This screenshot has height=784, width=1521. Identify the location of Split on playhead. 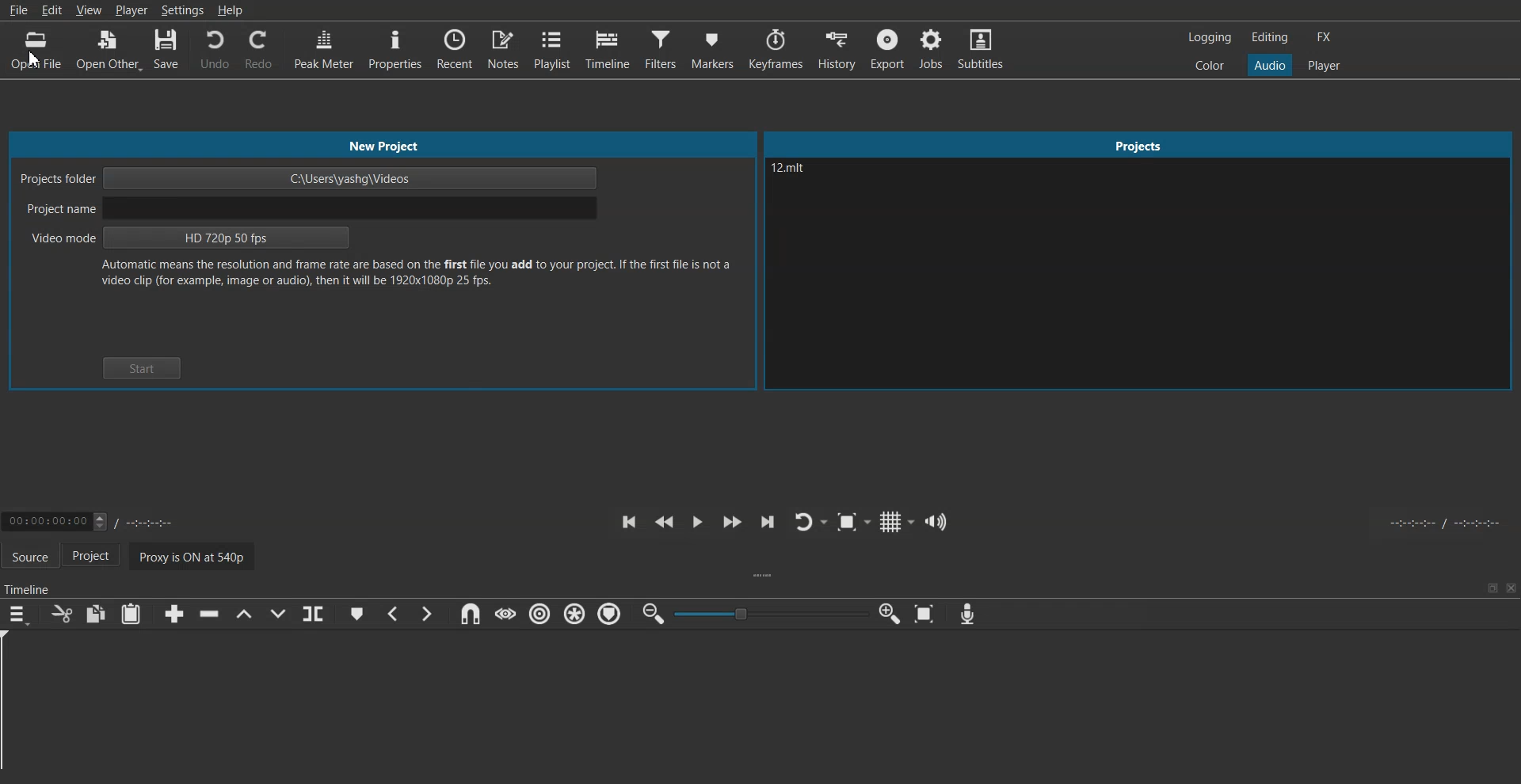
(314, 614).